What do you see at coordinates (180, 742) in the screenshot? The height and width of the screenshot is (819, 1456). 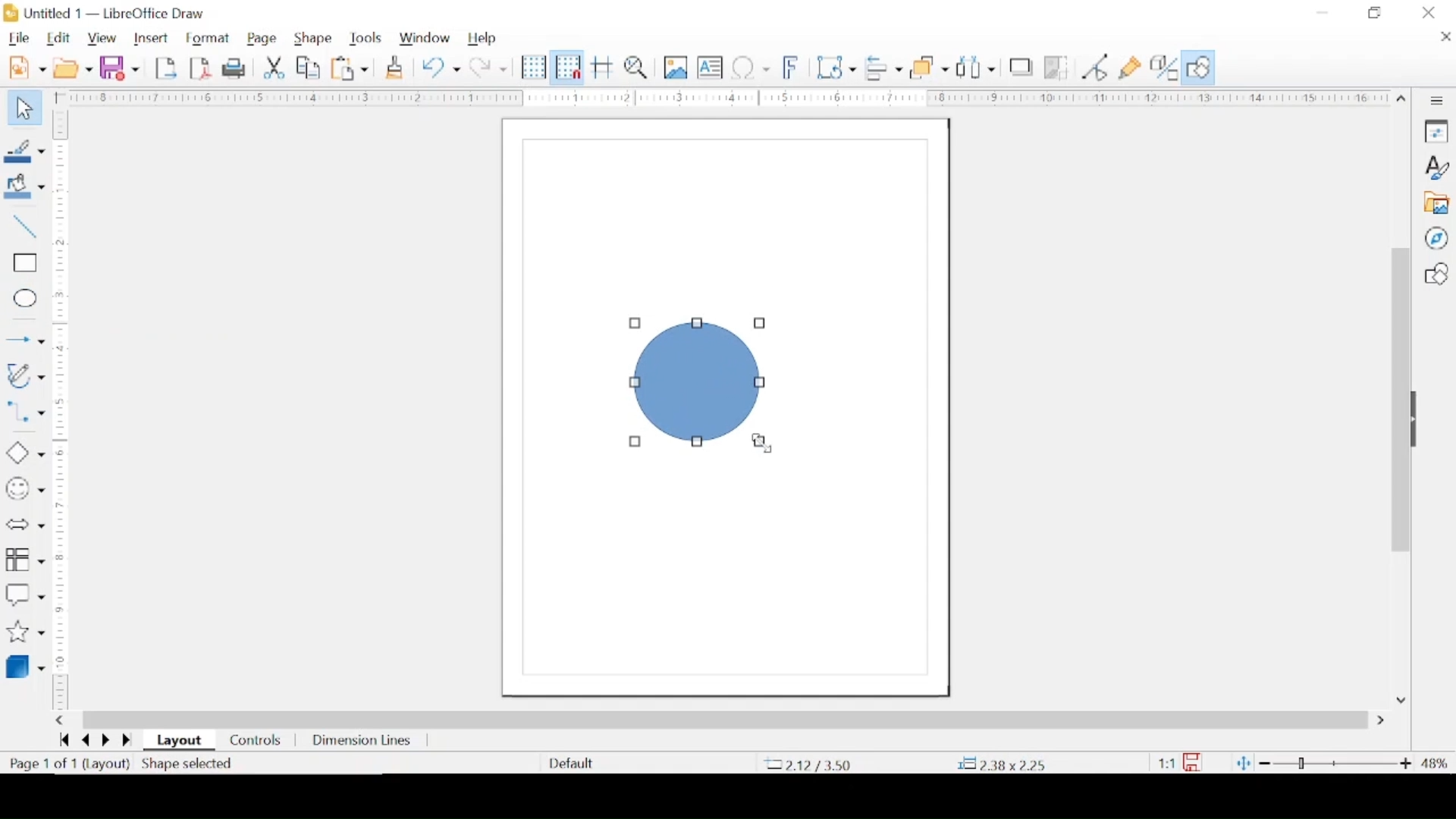 I see `layout` at bounding box center [180, 742].